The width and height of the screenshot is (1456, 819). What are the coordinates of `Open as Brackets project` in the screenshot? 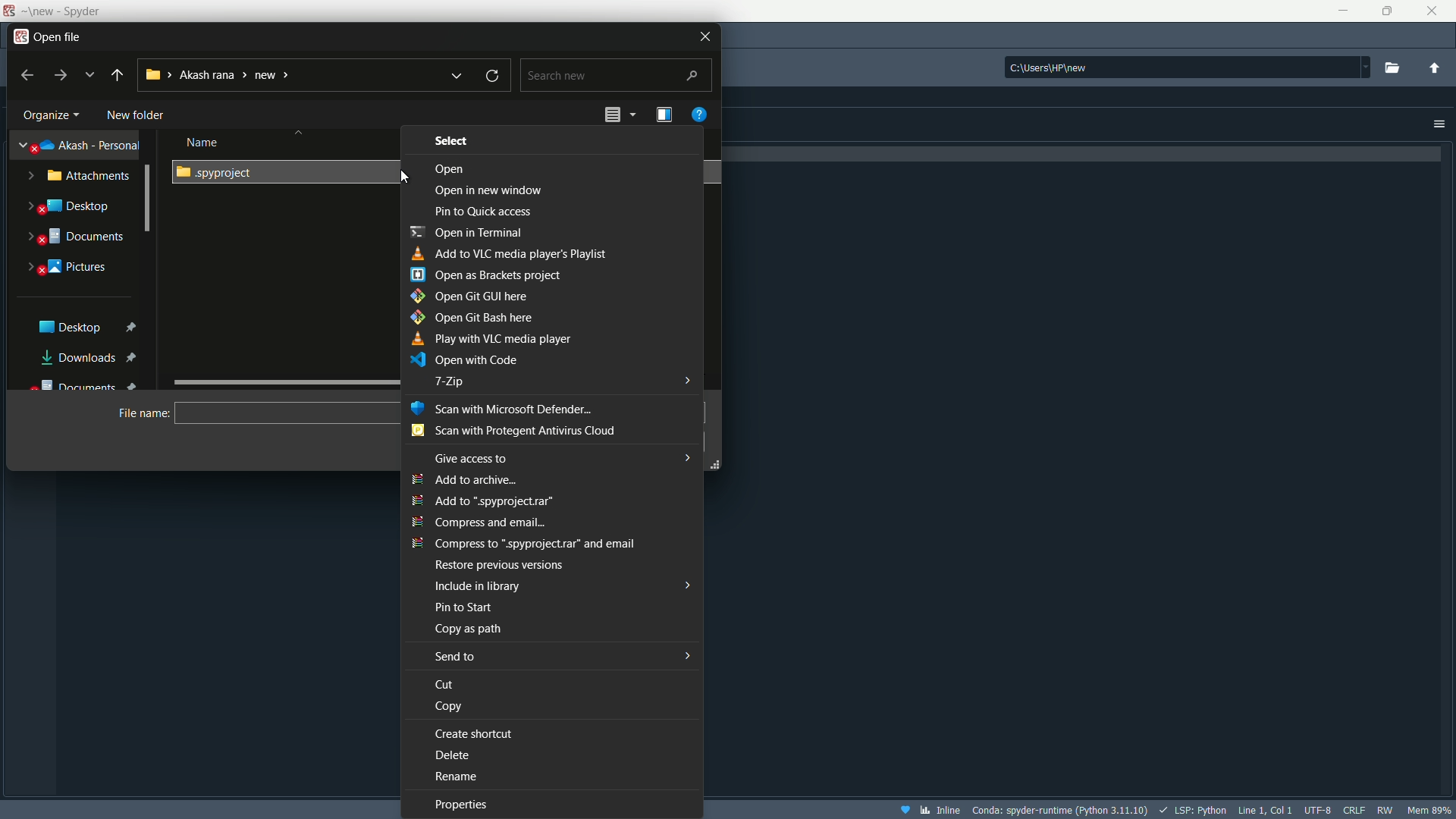 It's located at (493, 275).